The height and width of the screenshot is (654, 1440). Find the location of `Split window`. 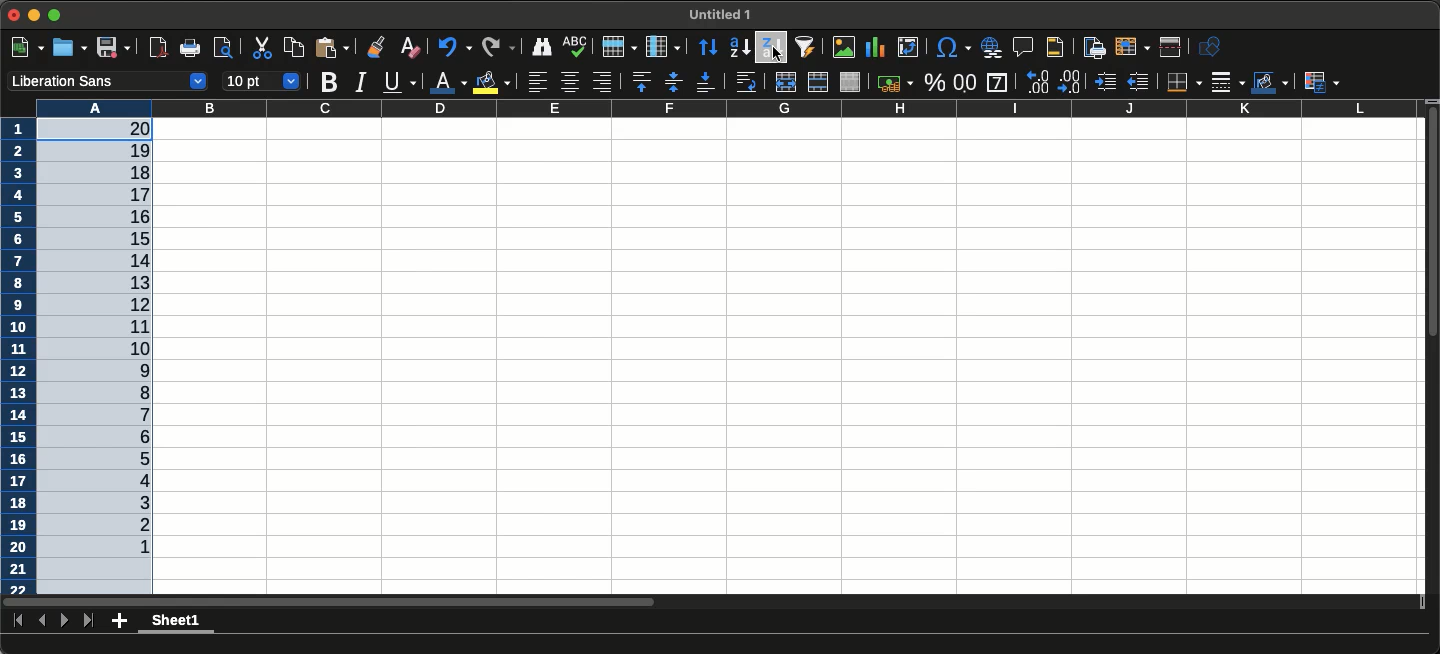

Split window is located at coordinates (1170, 48).